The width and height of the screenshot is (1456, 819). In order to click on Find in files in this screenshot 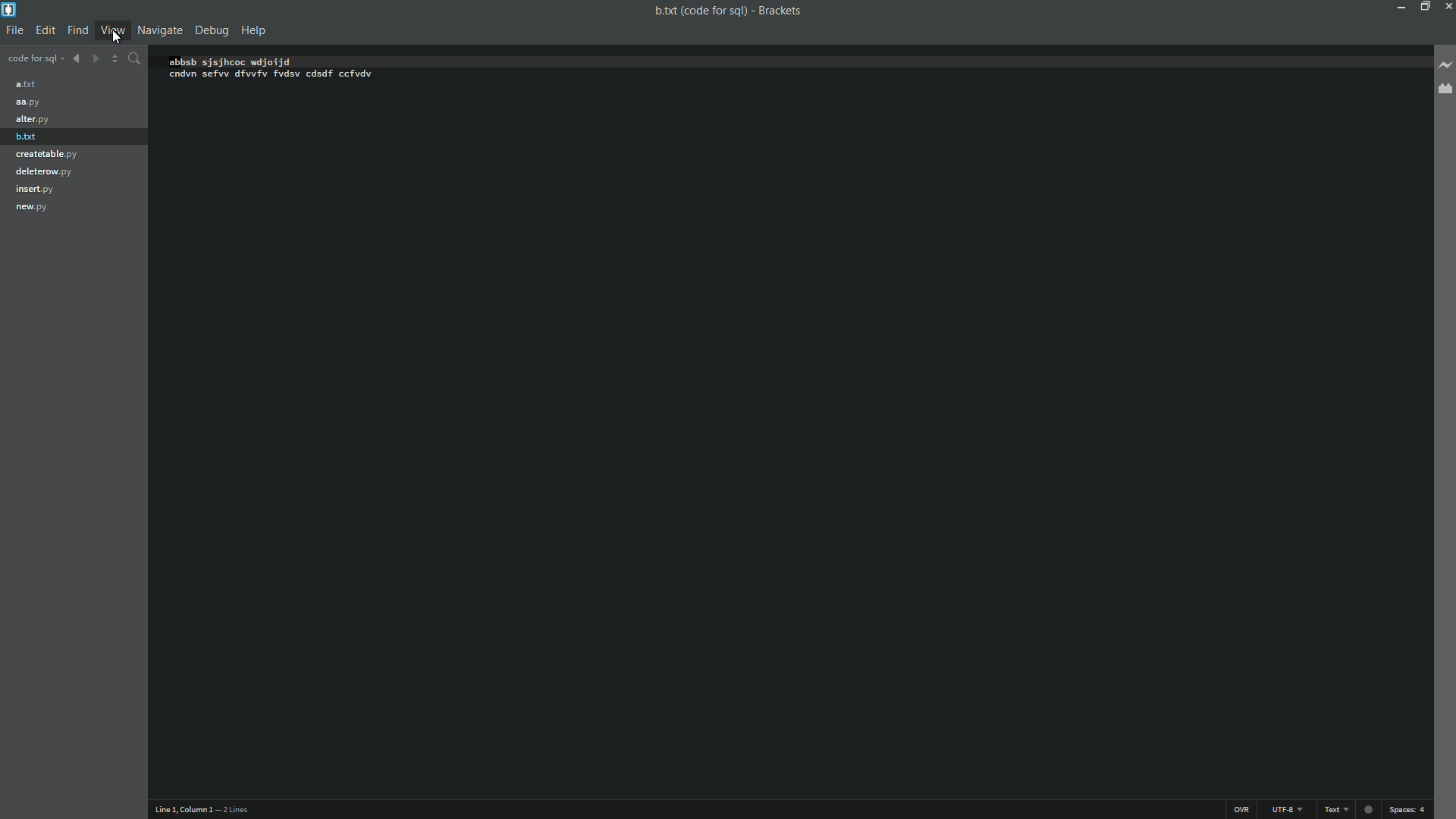, I will do `click(134, 58)`.